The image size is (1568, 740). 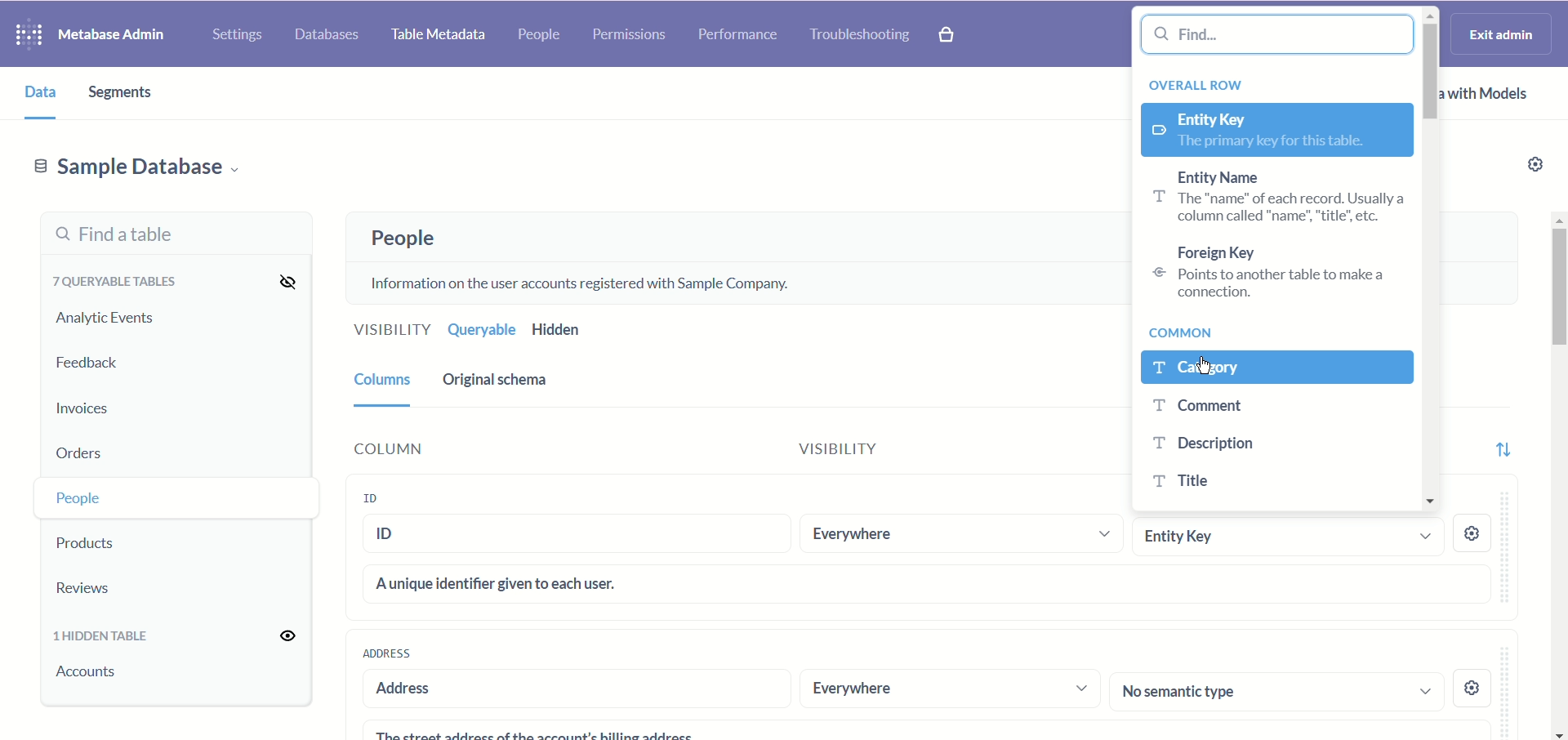 What do you see at coordinates (106, 637) in the screenshot?
I see `1 hidden table` at bounding box center [106, 637].